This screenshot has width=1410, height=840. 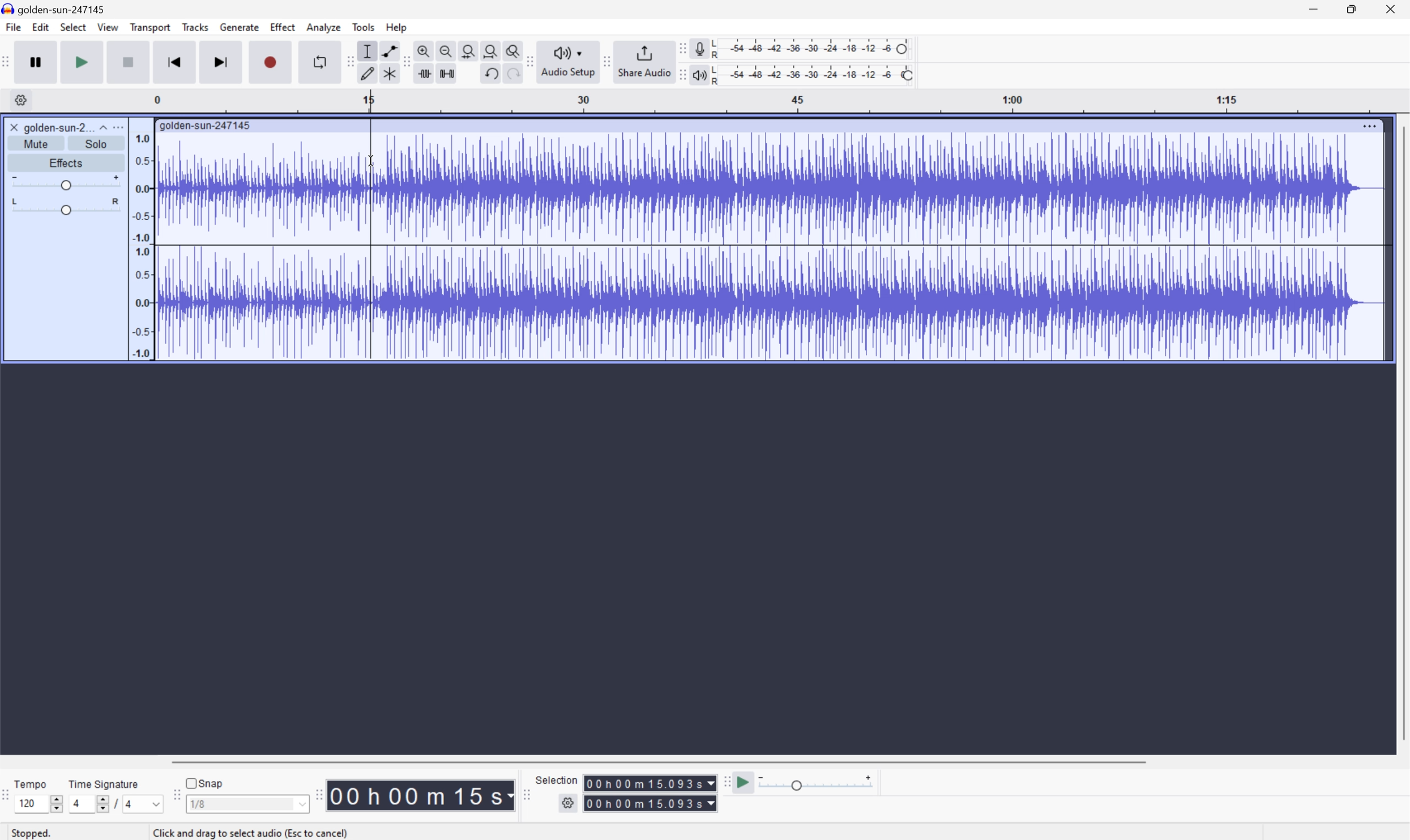 What do you see at coordinates (446, 72) in the screenshot?
I see `Silence audio selection` at bounding box center [446, 72].